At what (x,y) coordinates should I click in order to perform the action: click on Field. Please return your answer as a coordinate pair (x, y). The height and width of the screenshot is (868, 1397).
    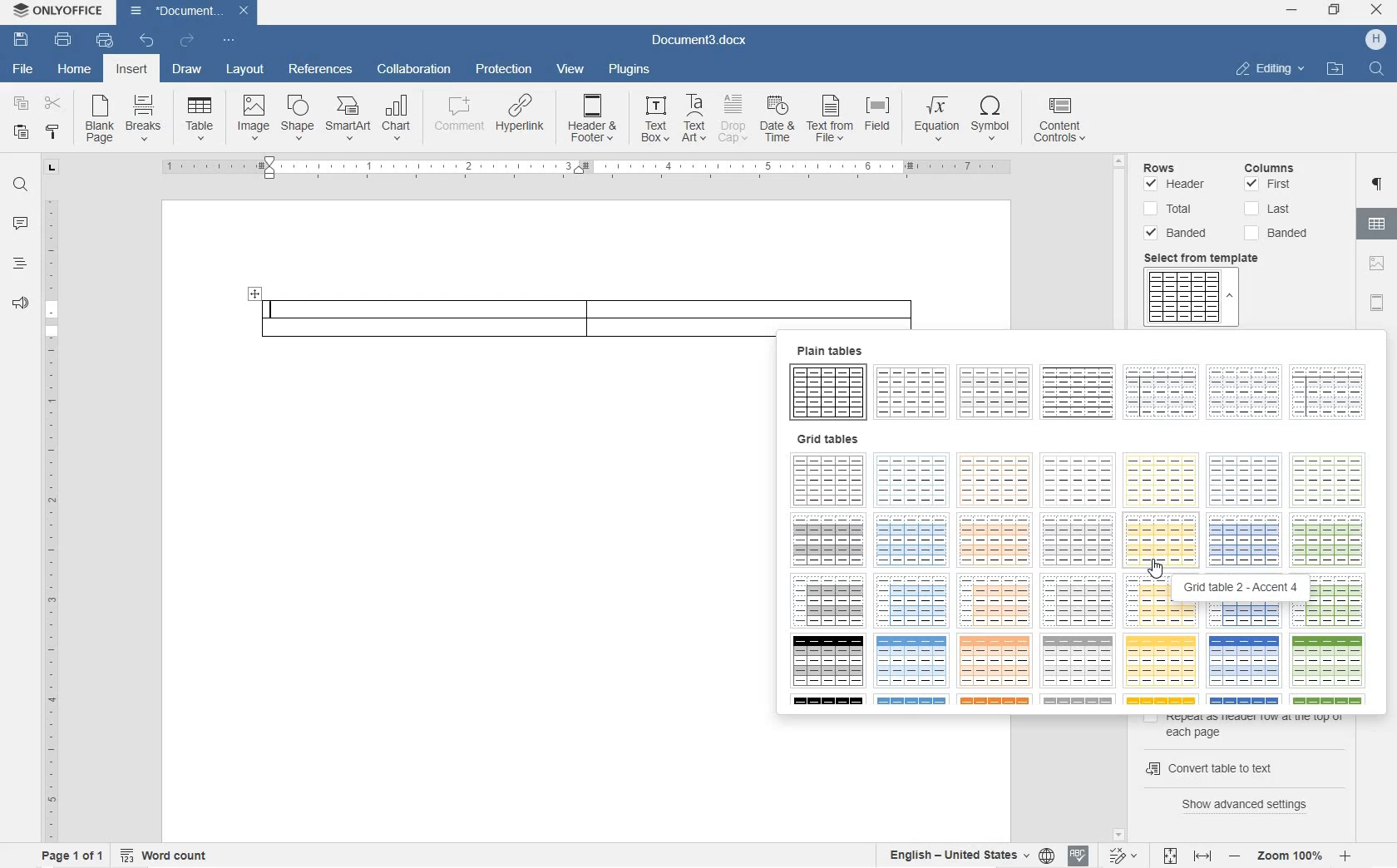
    Looking at the image, I should click on (881, 119).